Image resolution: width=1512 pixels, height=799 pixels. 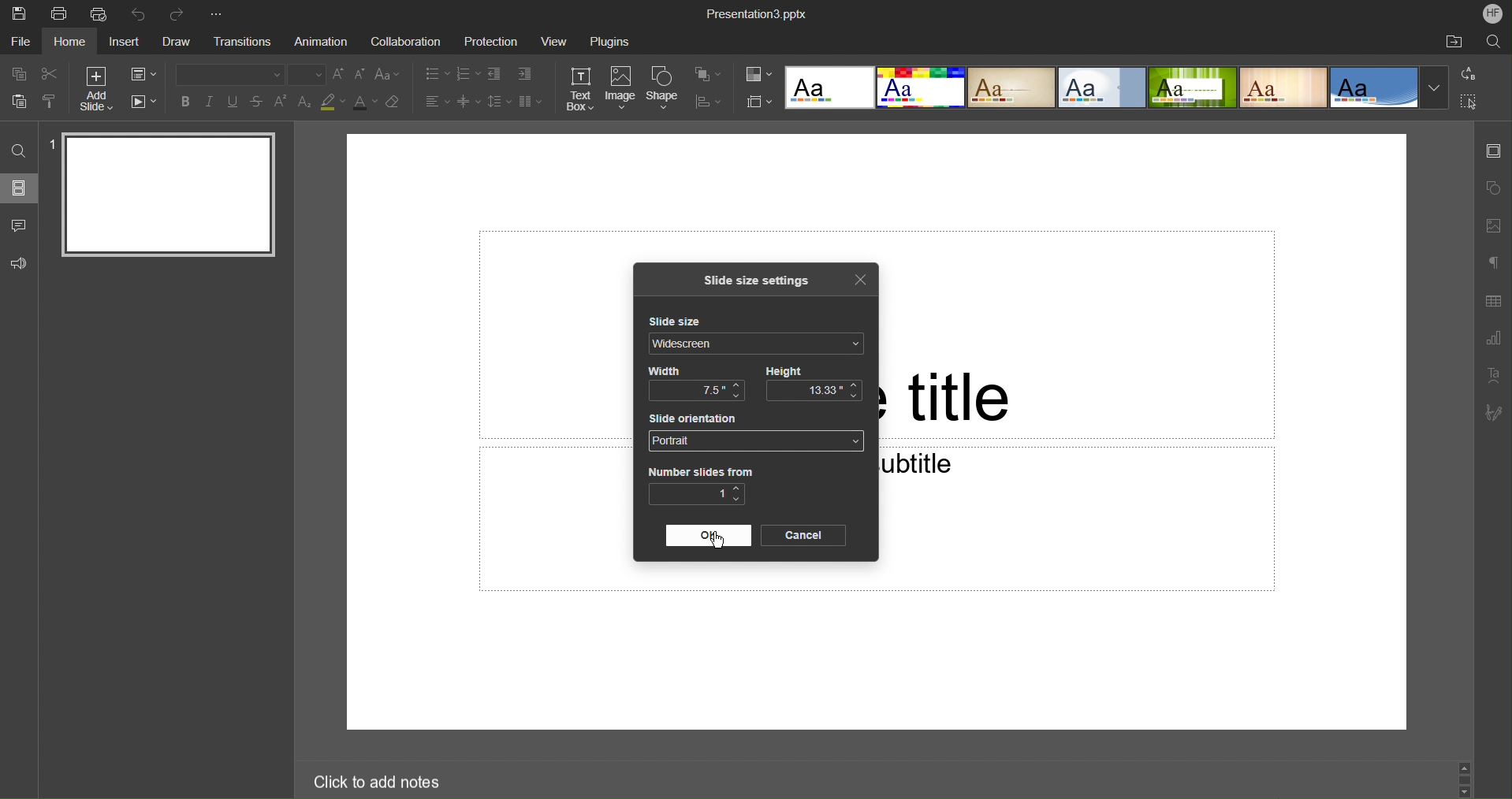 What do you see at coordinates (365, 104) in the screenshot?
I see `Text Color` at bounding box center [365, 104].